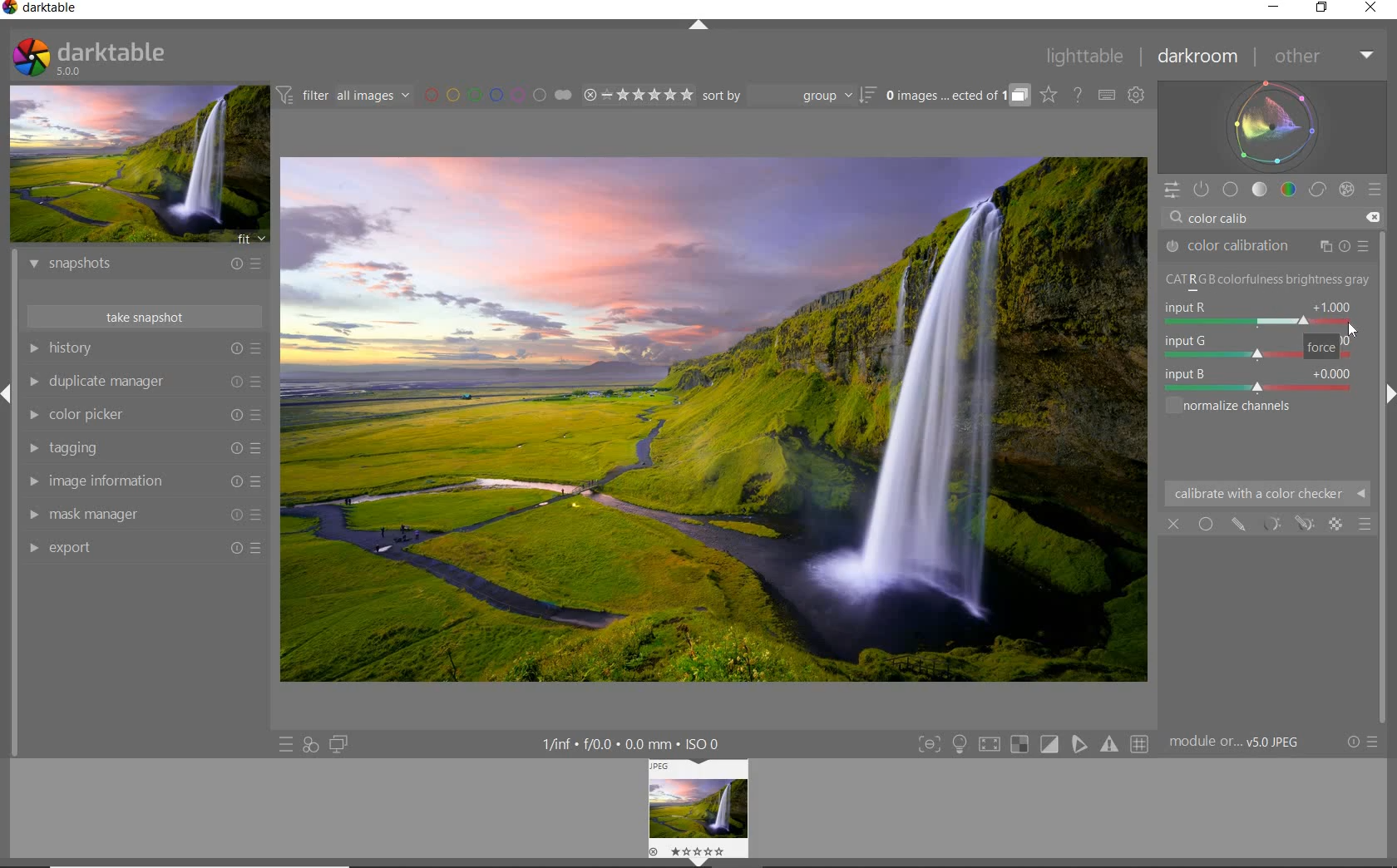  Describe the element at coordinates (715, 417) in the screenshot. I see `SELECTED IMAGE` at that location.